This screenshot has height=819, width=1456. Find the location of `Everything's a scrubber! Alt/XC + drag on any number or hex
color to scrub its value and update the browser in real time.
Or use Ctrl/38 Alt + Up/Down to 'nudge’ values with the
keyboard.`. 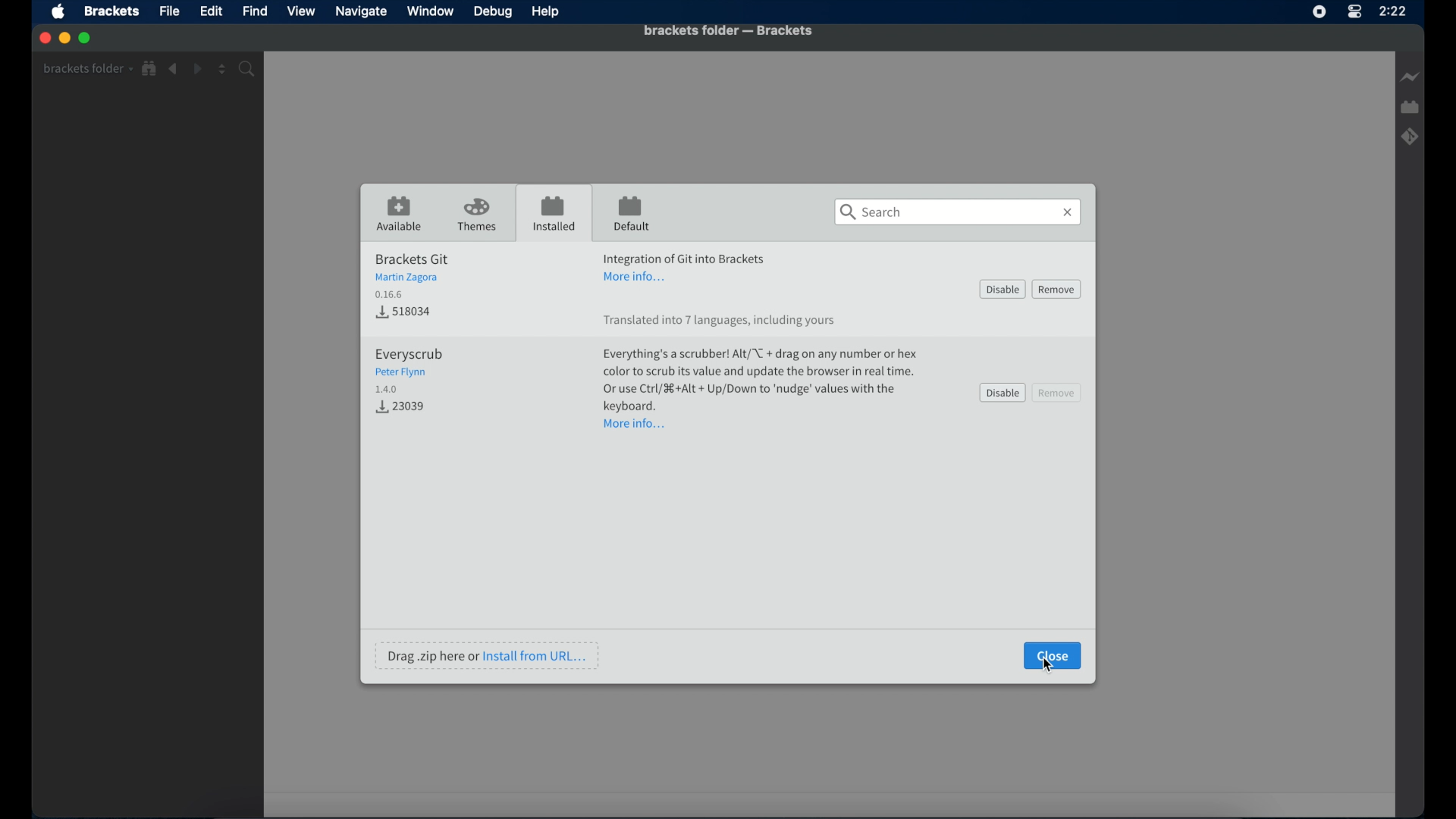

Everything's a scrubber! Alt/XC + drag on any number or hex
color to scrub its value and update the browser in real time.
Or use Ctrl/38 Alt + Up/Down to 'nudge’ values with the
keyboard. is located at coordinates (762, 381).